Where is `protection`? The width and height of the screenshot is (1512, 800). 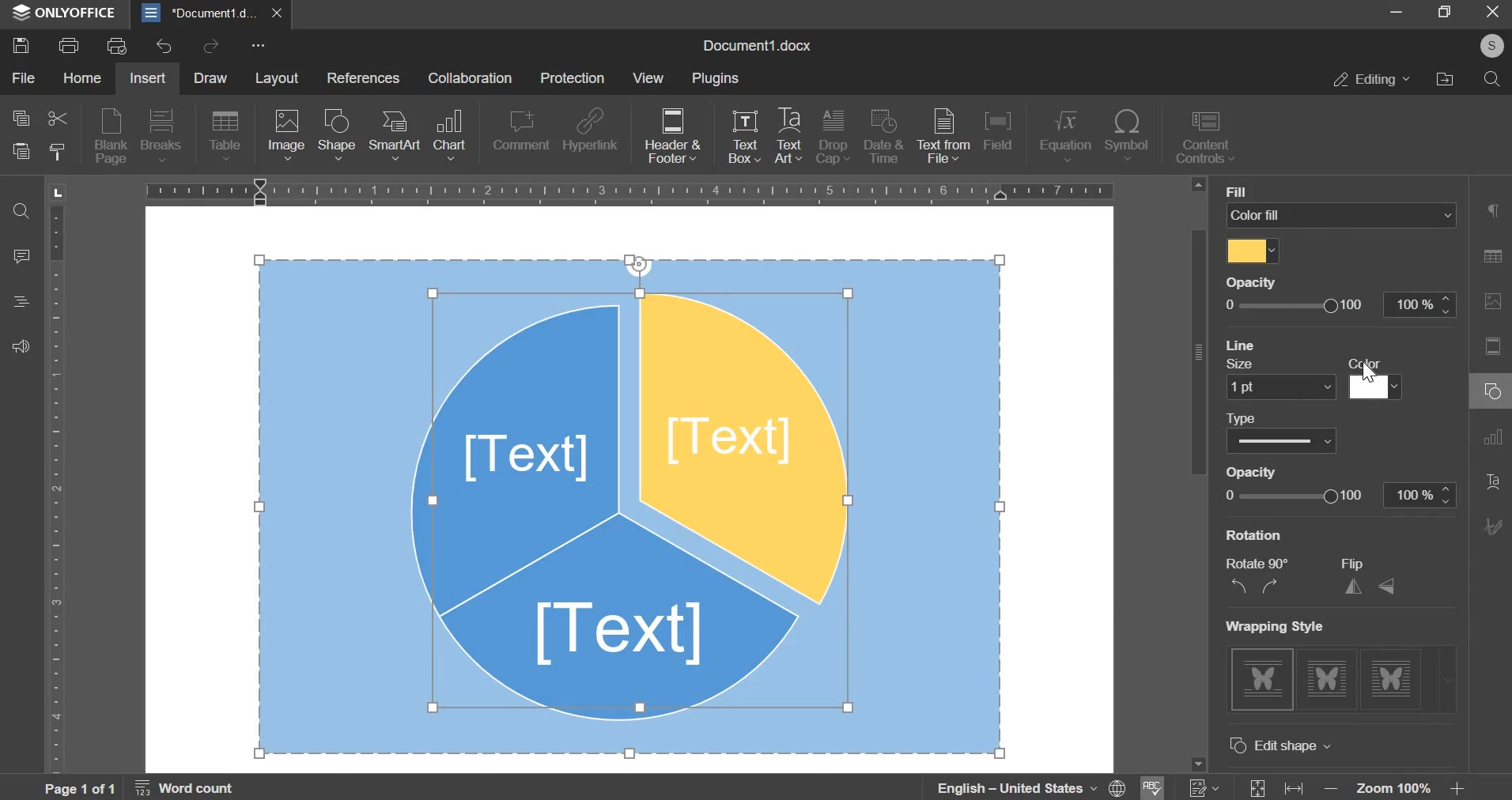
protection is located at coordinates (571, 77).